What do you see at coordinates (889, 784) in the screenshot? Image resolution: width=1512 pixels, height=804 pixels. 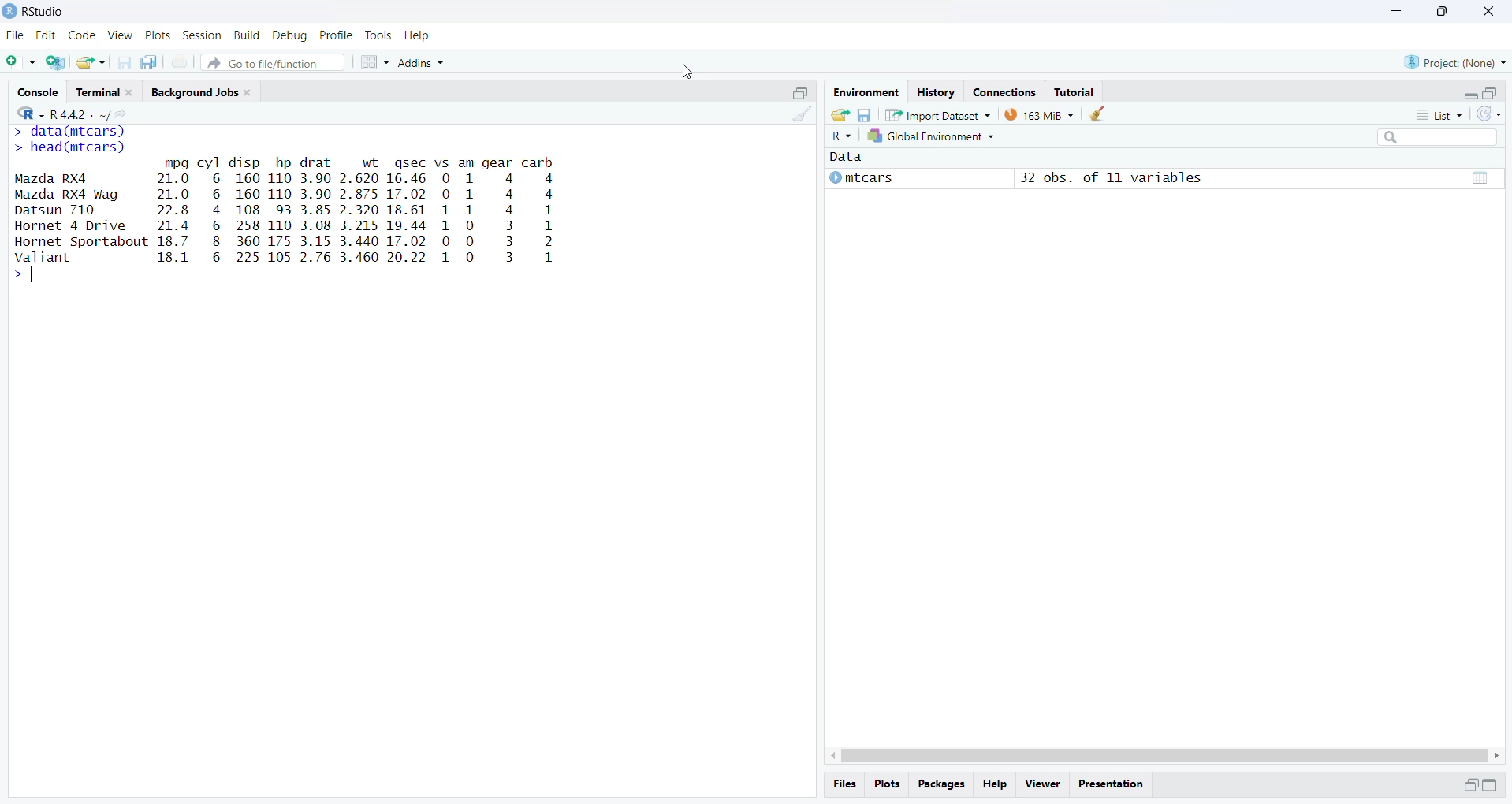 I see `plots` at bounding box center [889, 784].